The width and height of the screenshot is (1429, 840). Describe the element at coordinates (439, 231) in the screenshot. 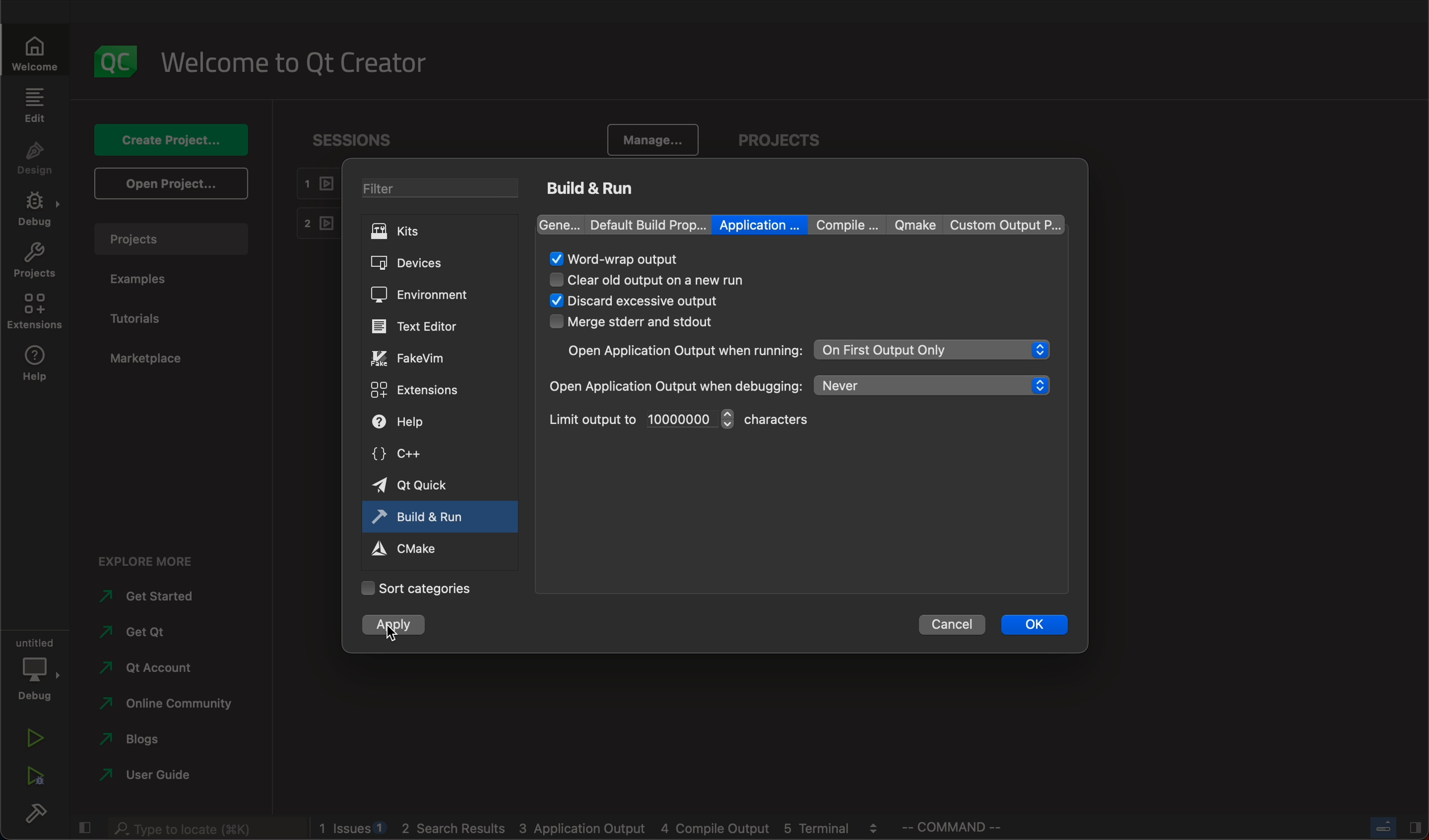

I see `kits` at that location.